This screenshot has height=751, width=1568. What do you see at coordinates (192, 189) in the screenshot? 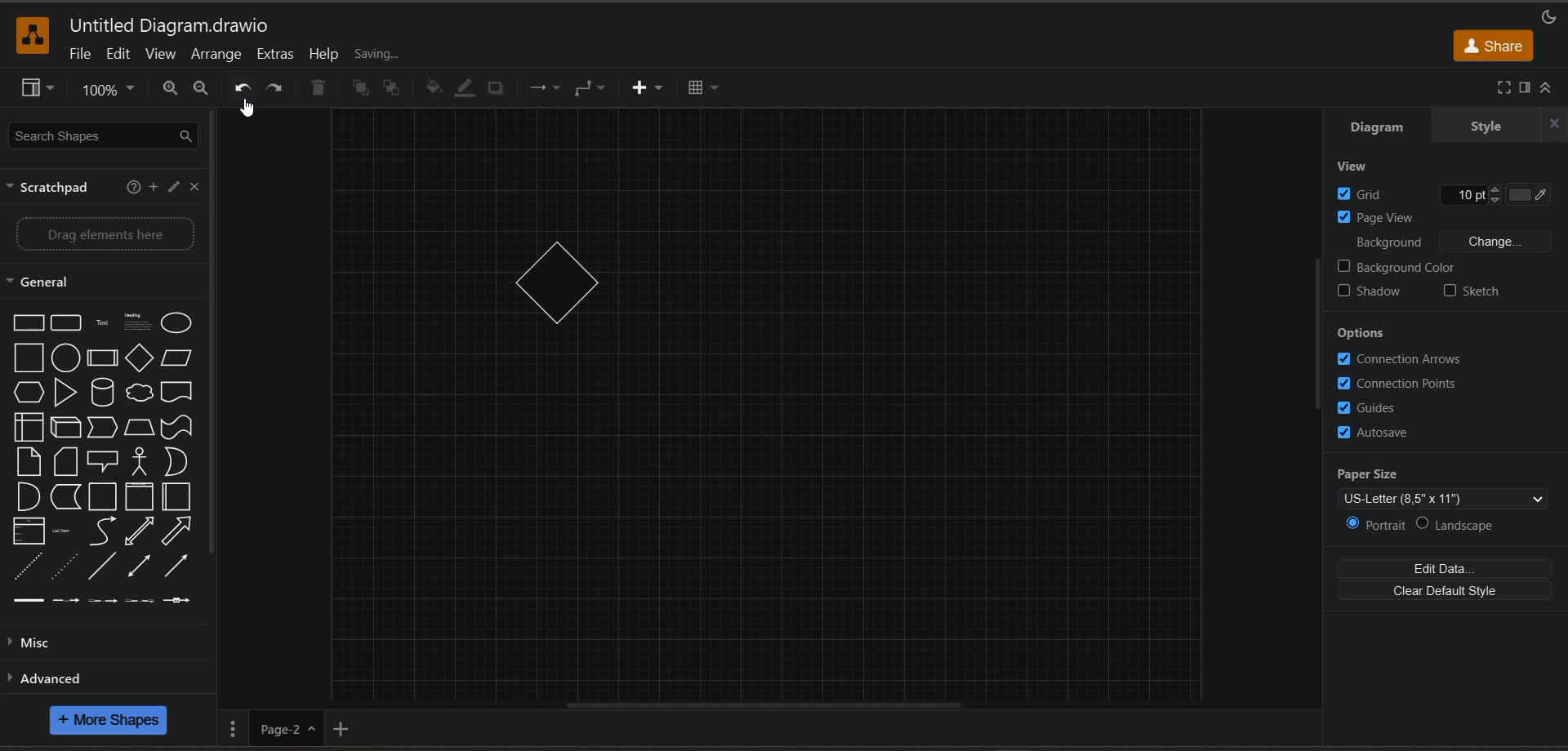
I see `close` at bounding box center [192, 189].